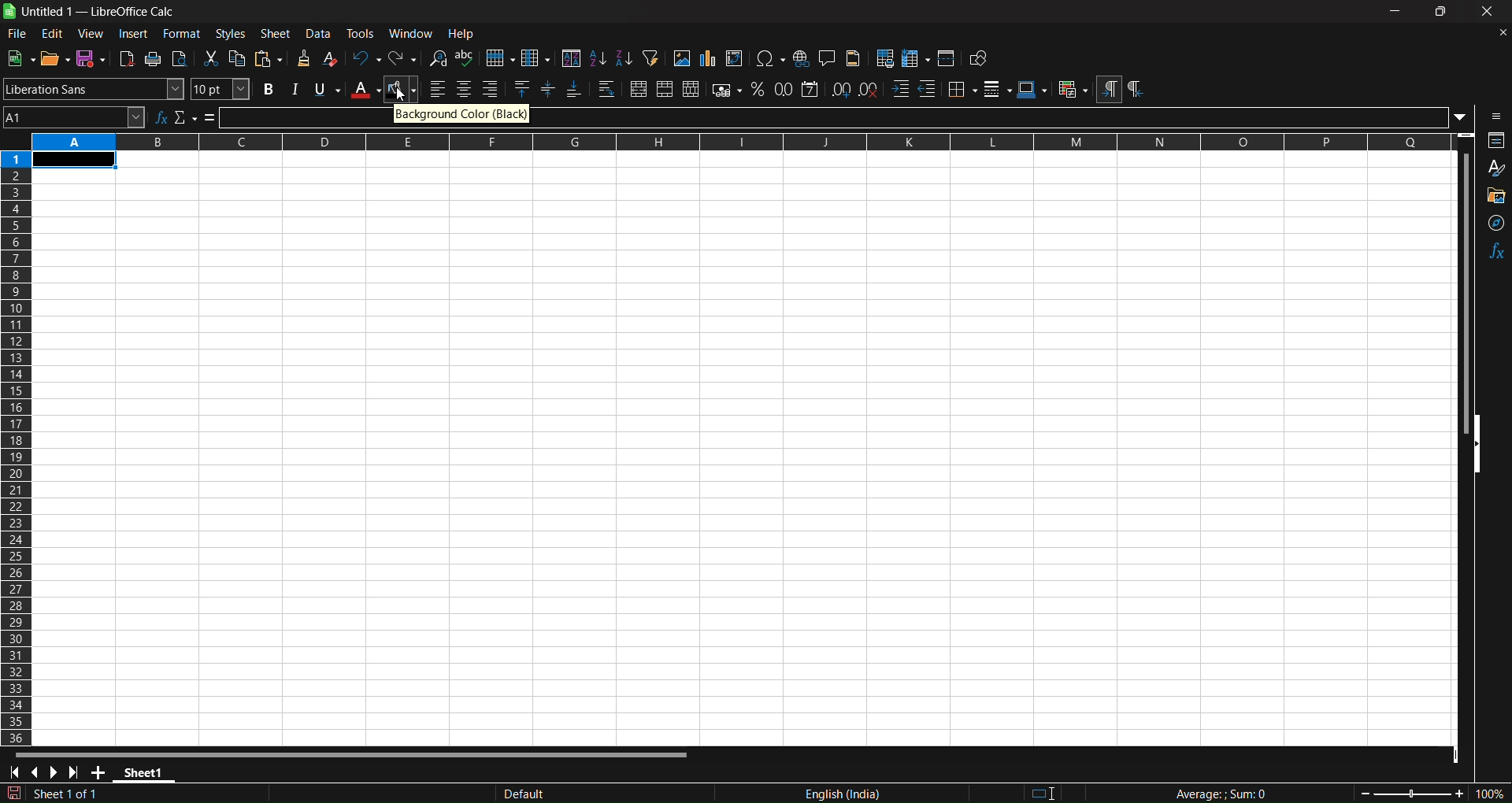 Image resolution: width=1512 pixels, height=803 pixels. I want to click on open, so click(57, 57).